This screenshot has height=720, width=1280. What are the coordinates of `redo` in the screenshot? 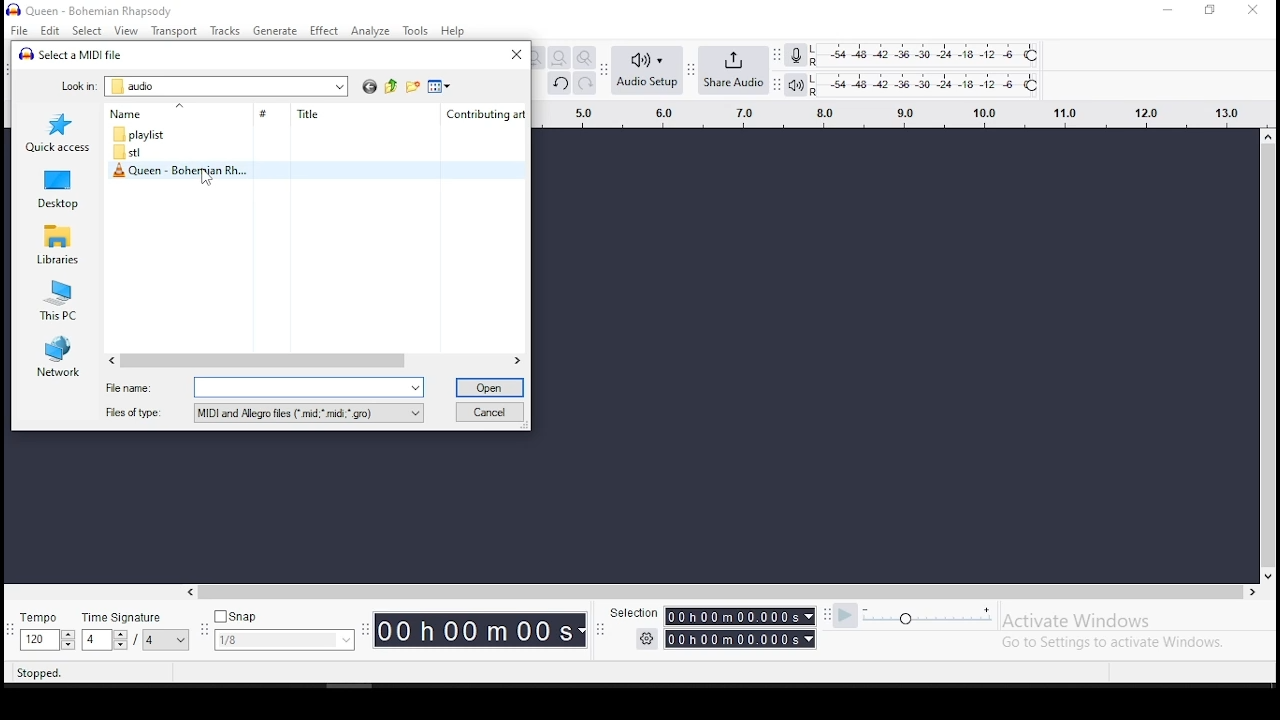 It's located at (585, 84).